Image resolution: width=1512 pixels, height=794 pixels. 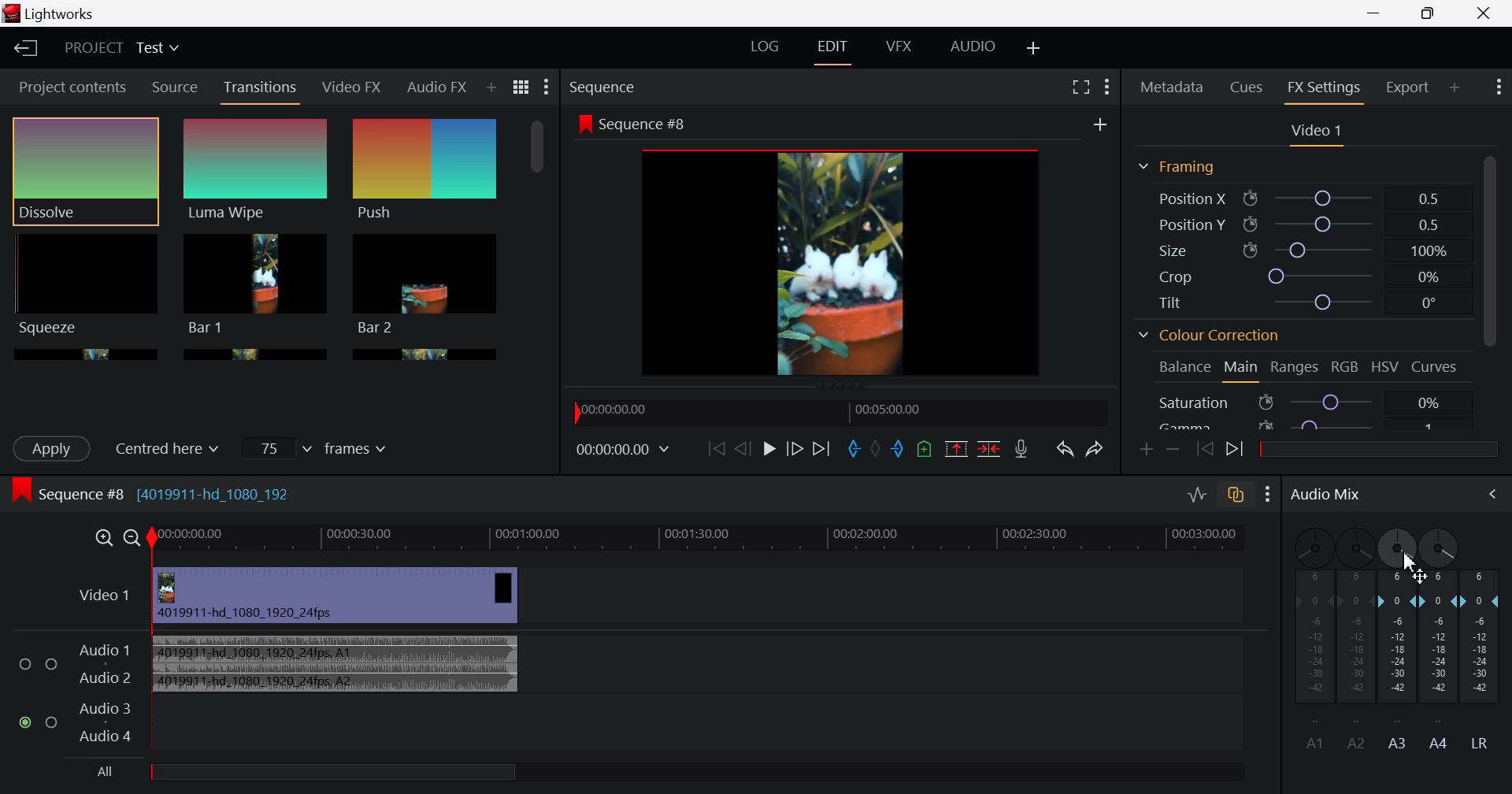 What do you see at coordinates (23, 46) in the screenshot?
I see `Back to Homepage` at bounding box center [23, 46].